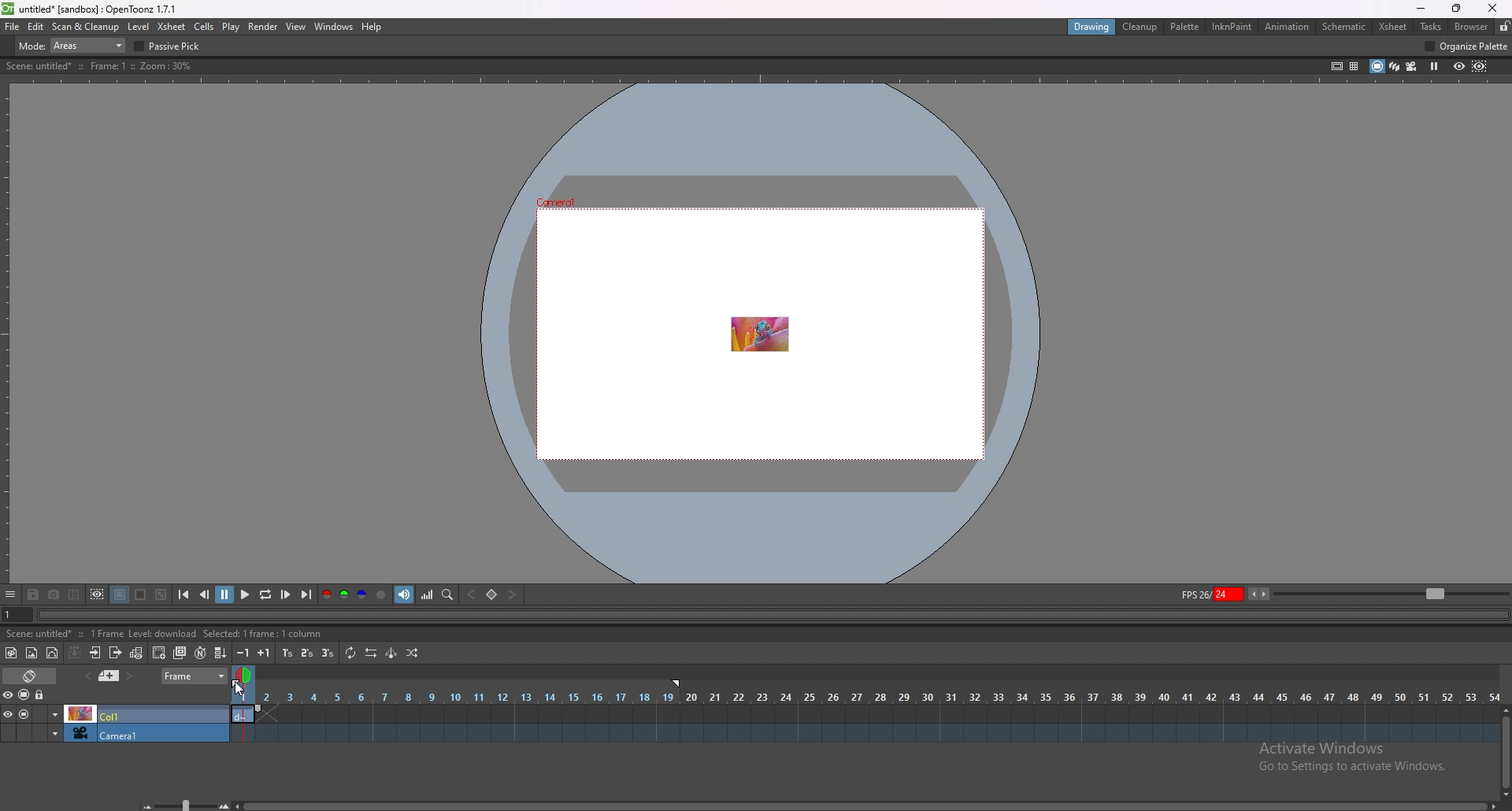 This screenshot has width=1512, height=811. I want to click on scroll bar, so click(1504, 751).